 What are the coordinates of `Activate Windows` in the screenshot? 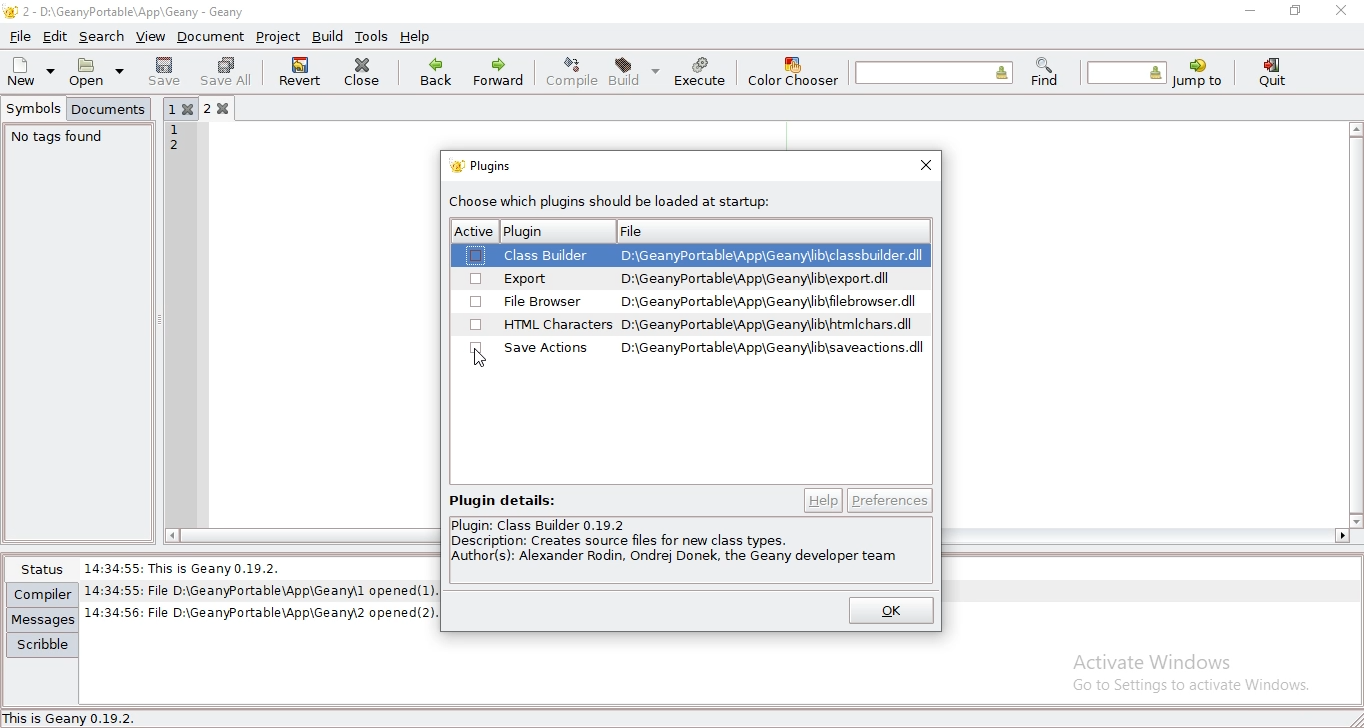 It's located at (1159, 660).